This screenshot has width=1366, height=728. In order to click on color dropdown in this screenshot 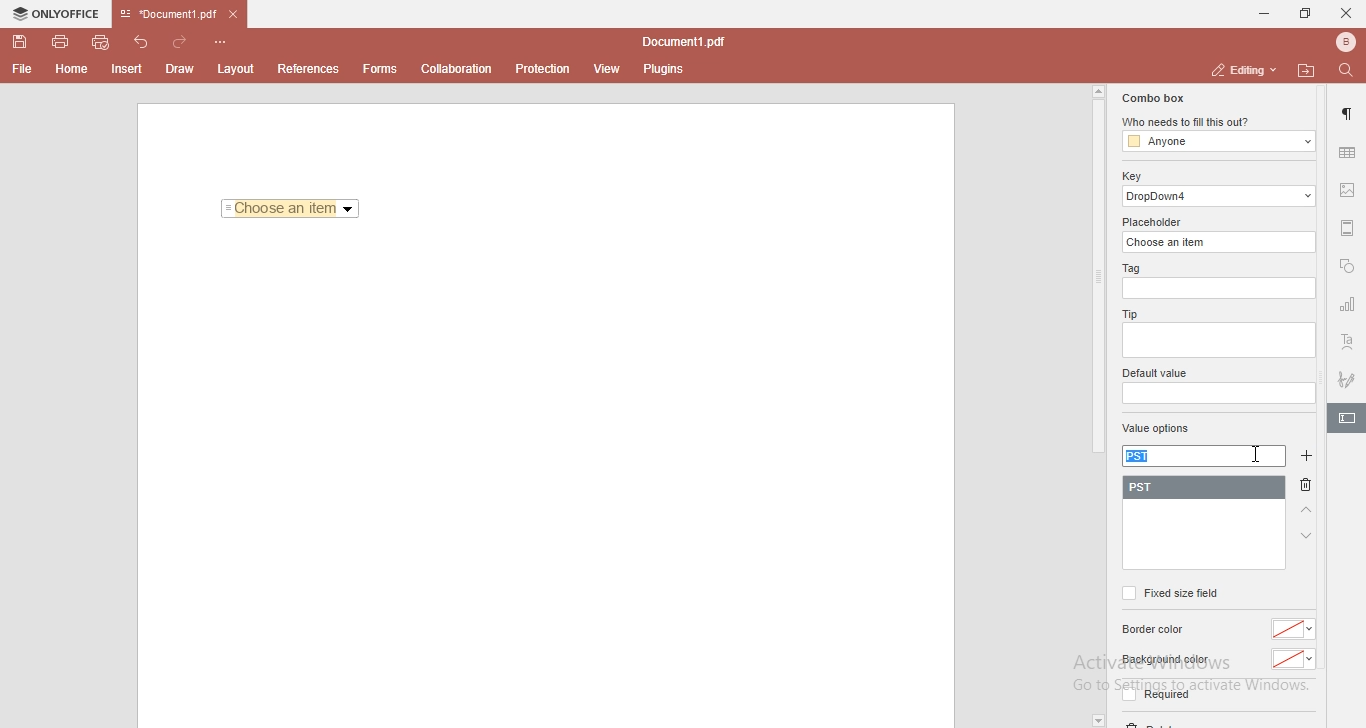, I will do `click(1294, 660)`.